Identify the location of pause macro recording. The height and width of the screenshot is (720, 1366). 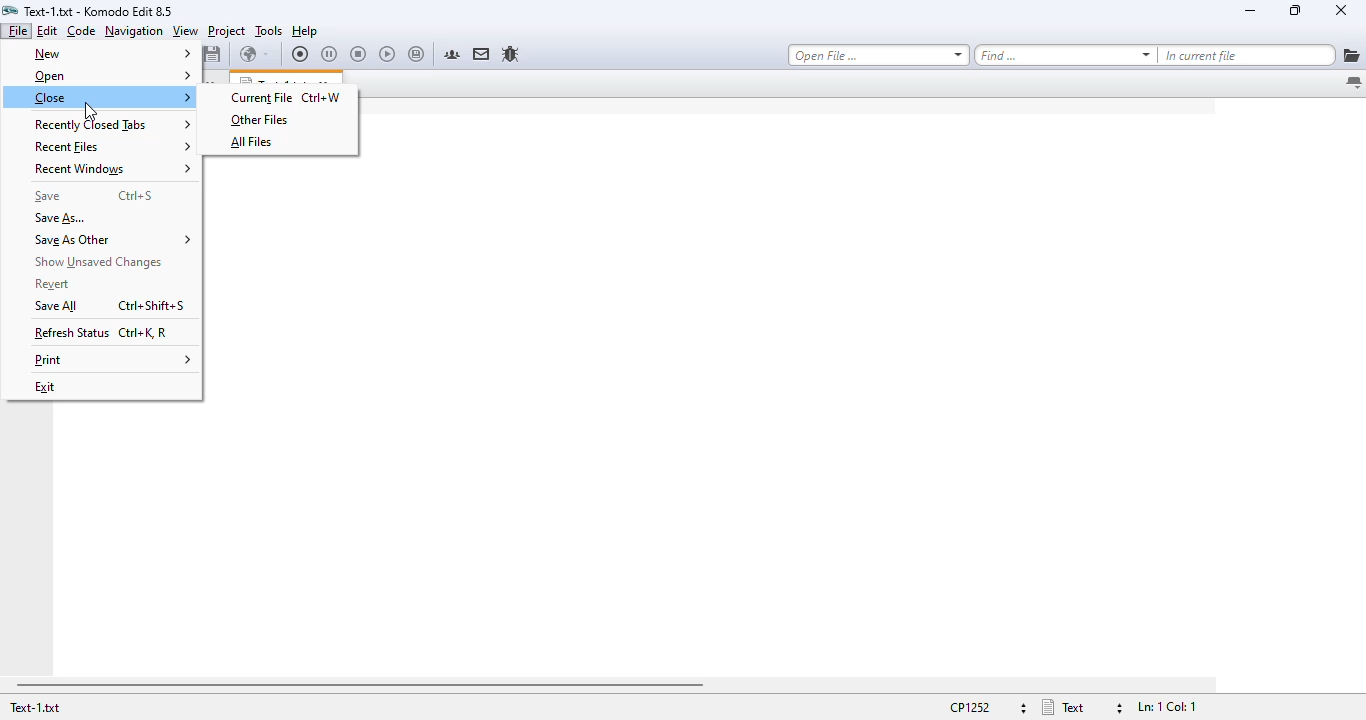
(329, 55).